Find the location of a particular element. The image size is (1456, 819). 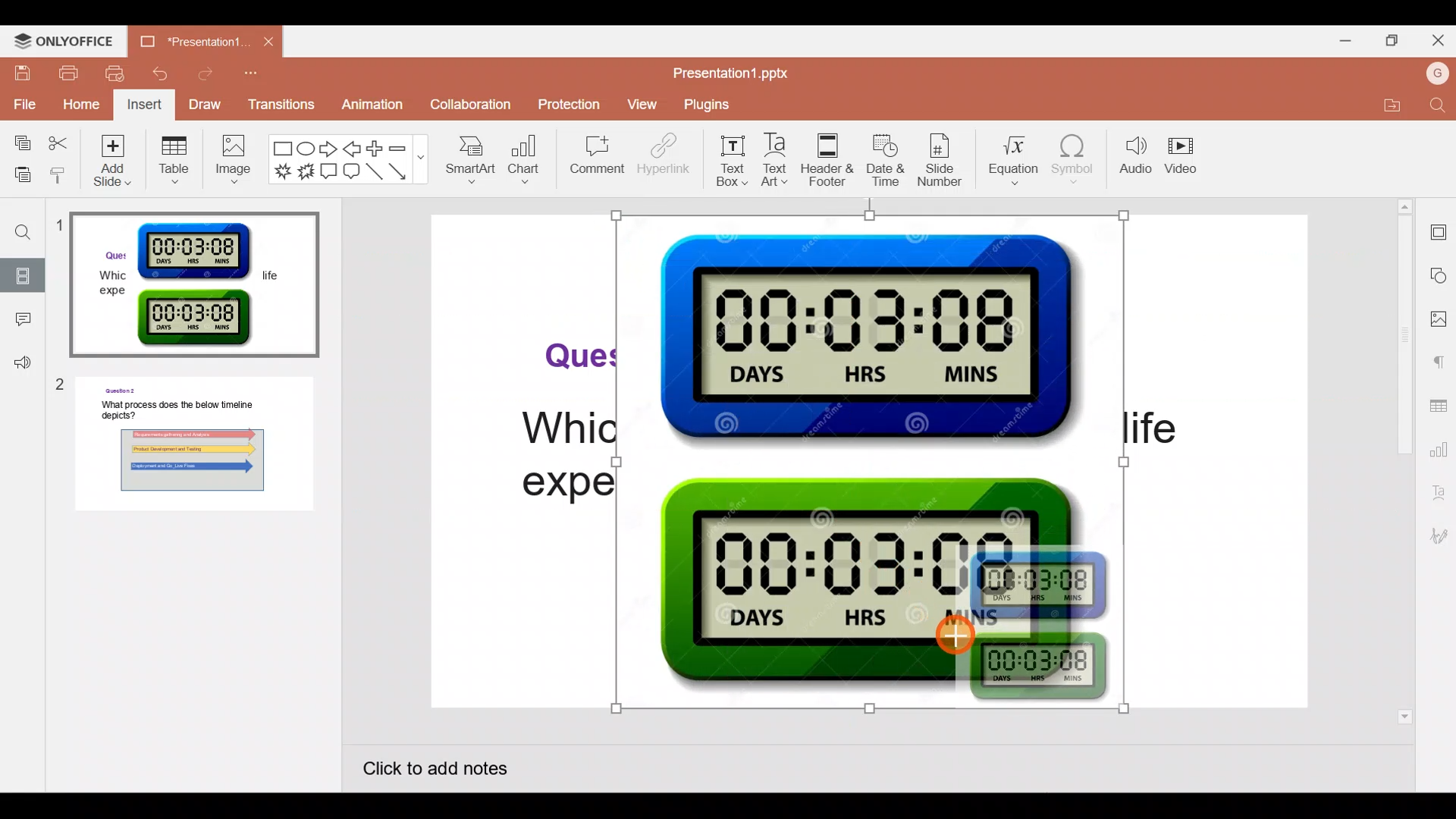

Date & time is located at coordinates (887, 163).